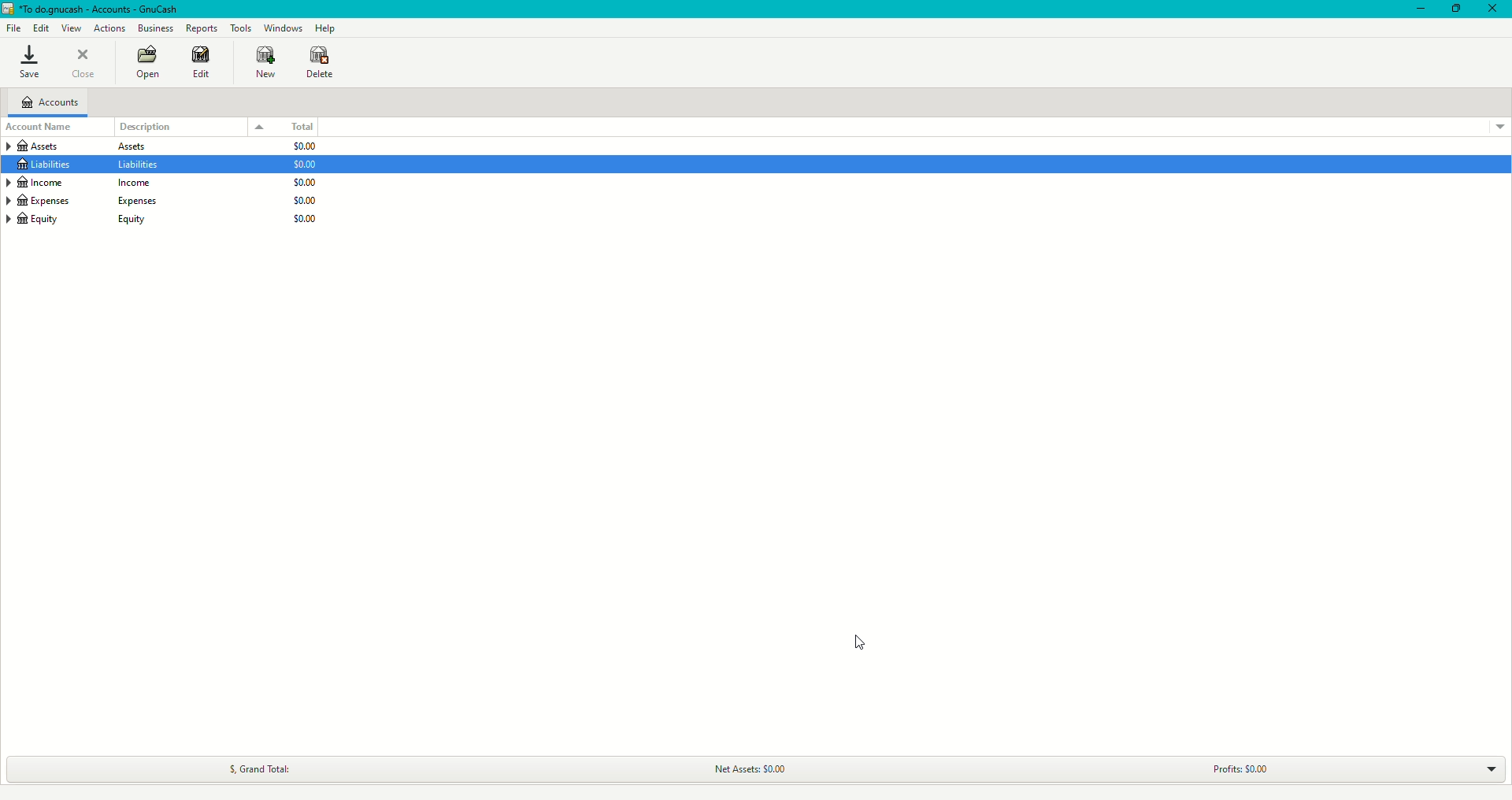 Image resolution: width=1512 pixels, height=800 pixels. I want to click on Income, so click(94, 184).